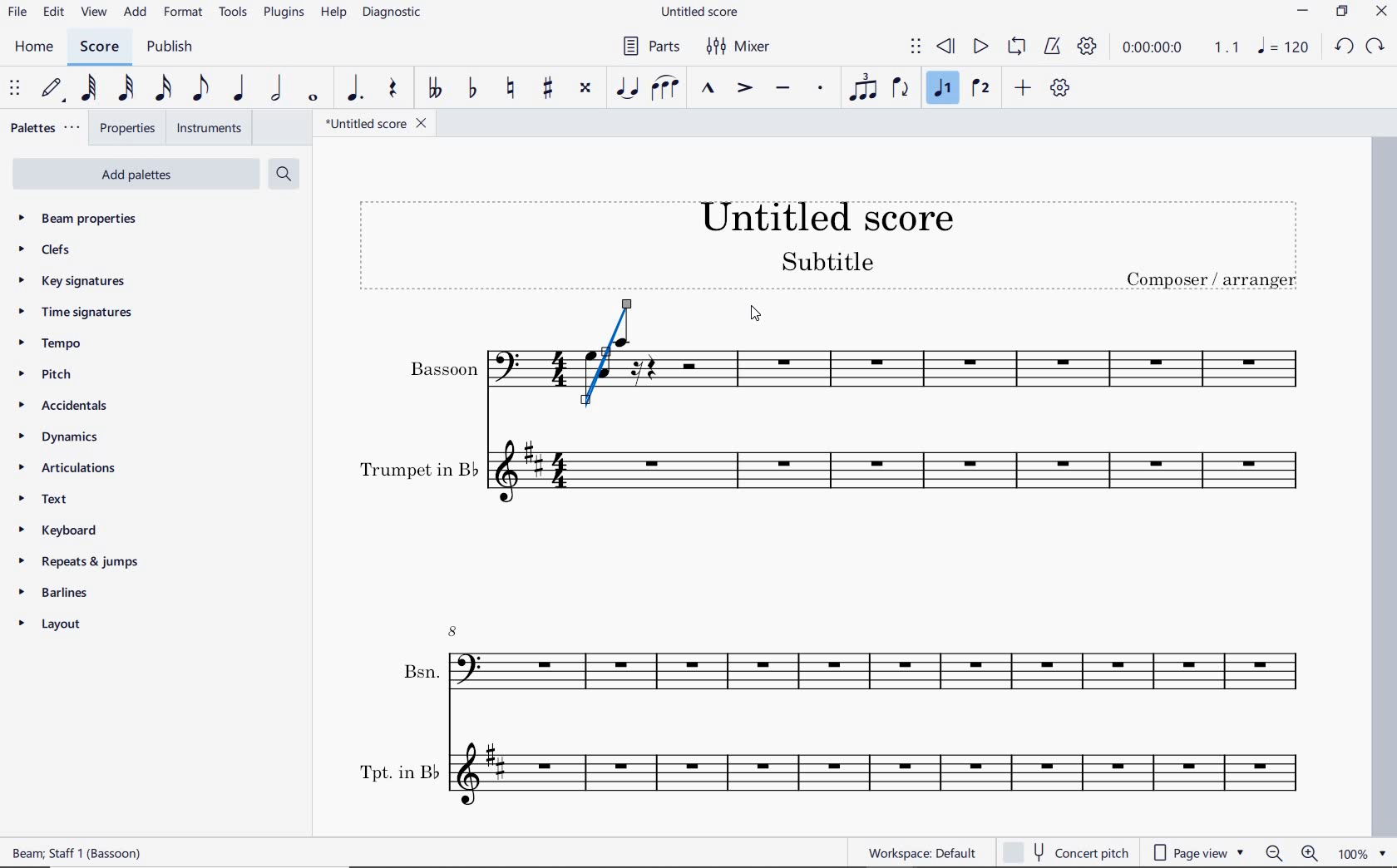  Describe the element at coordinates (1303, 12) in the screenshot. I see `MINIMIZE` at that location.